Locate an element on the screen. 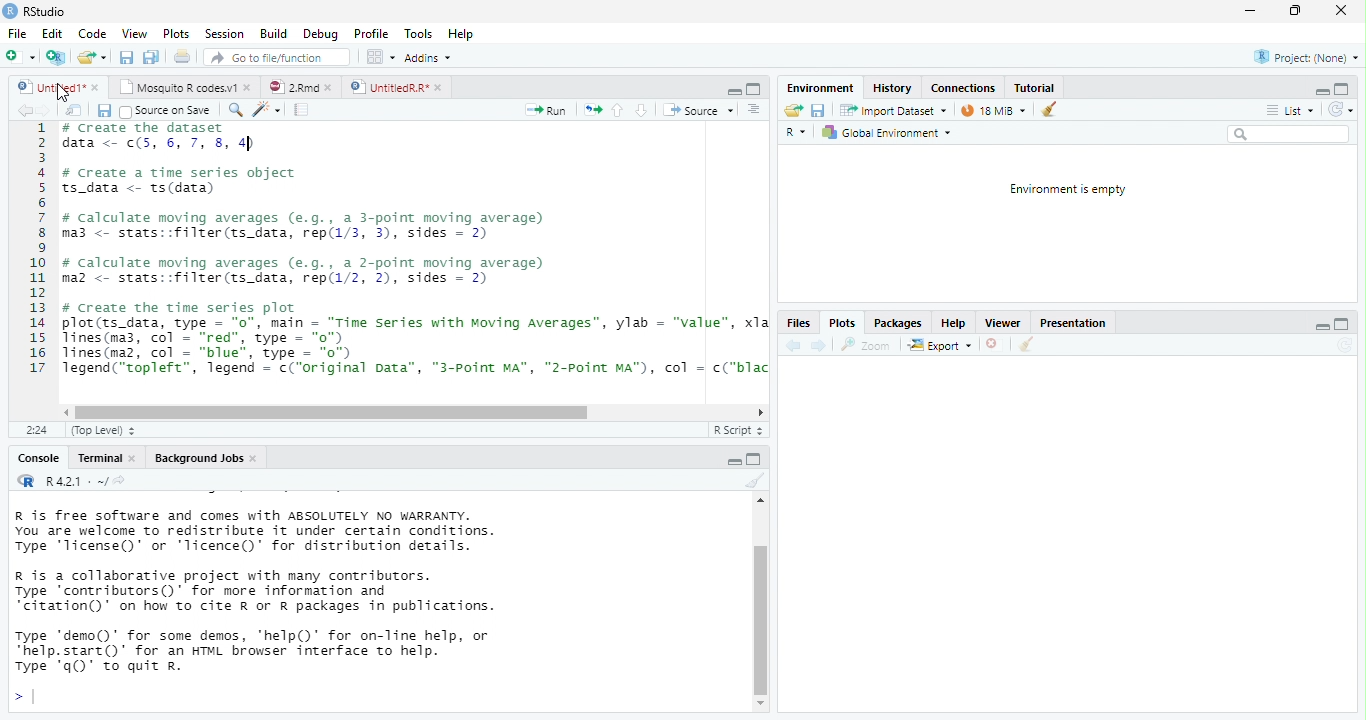 Image resolution: width=1366 pixels, height=720 pixels. minimize is located at coordinates (1249, 12).